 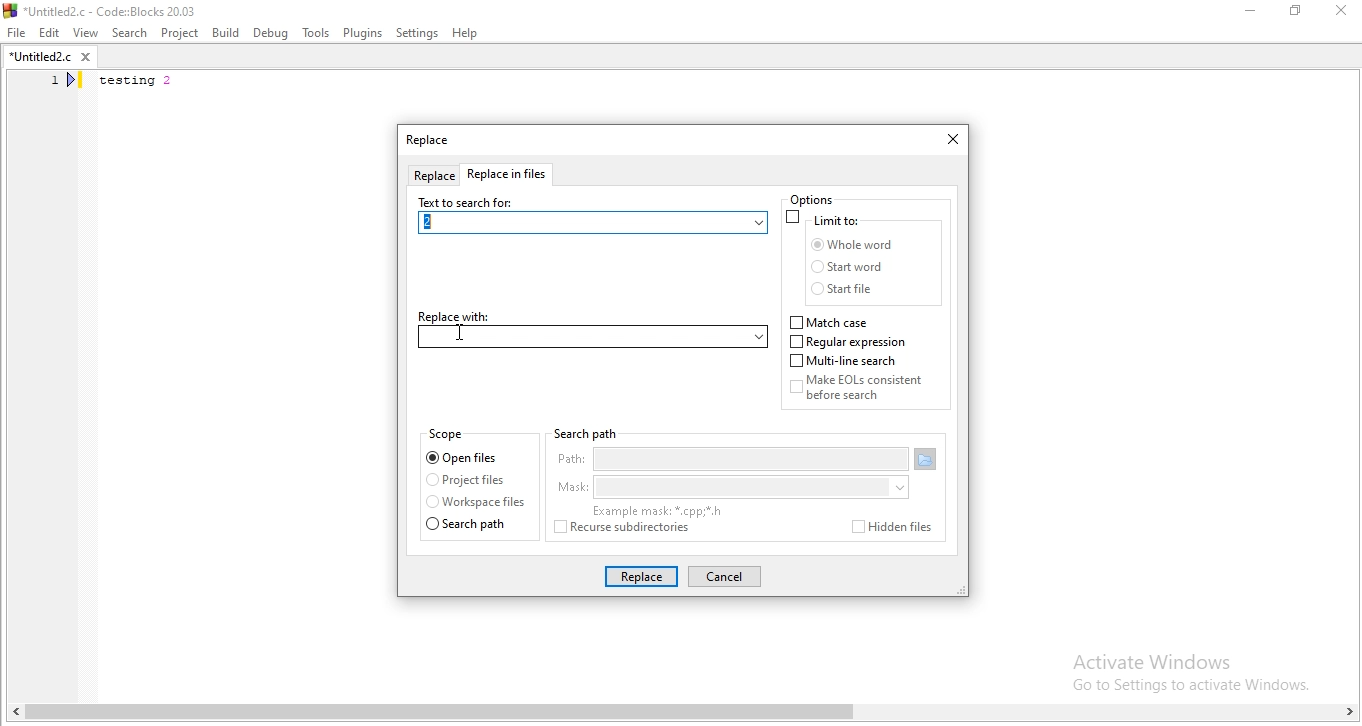 I want to click on Activate Windows. Go to settings to activate windows, so click(x=1178, y=669).